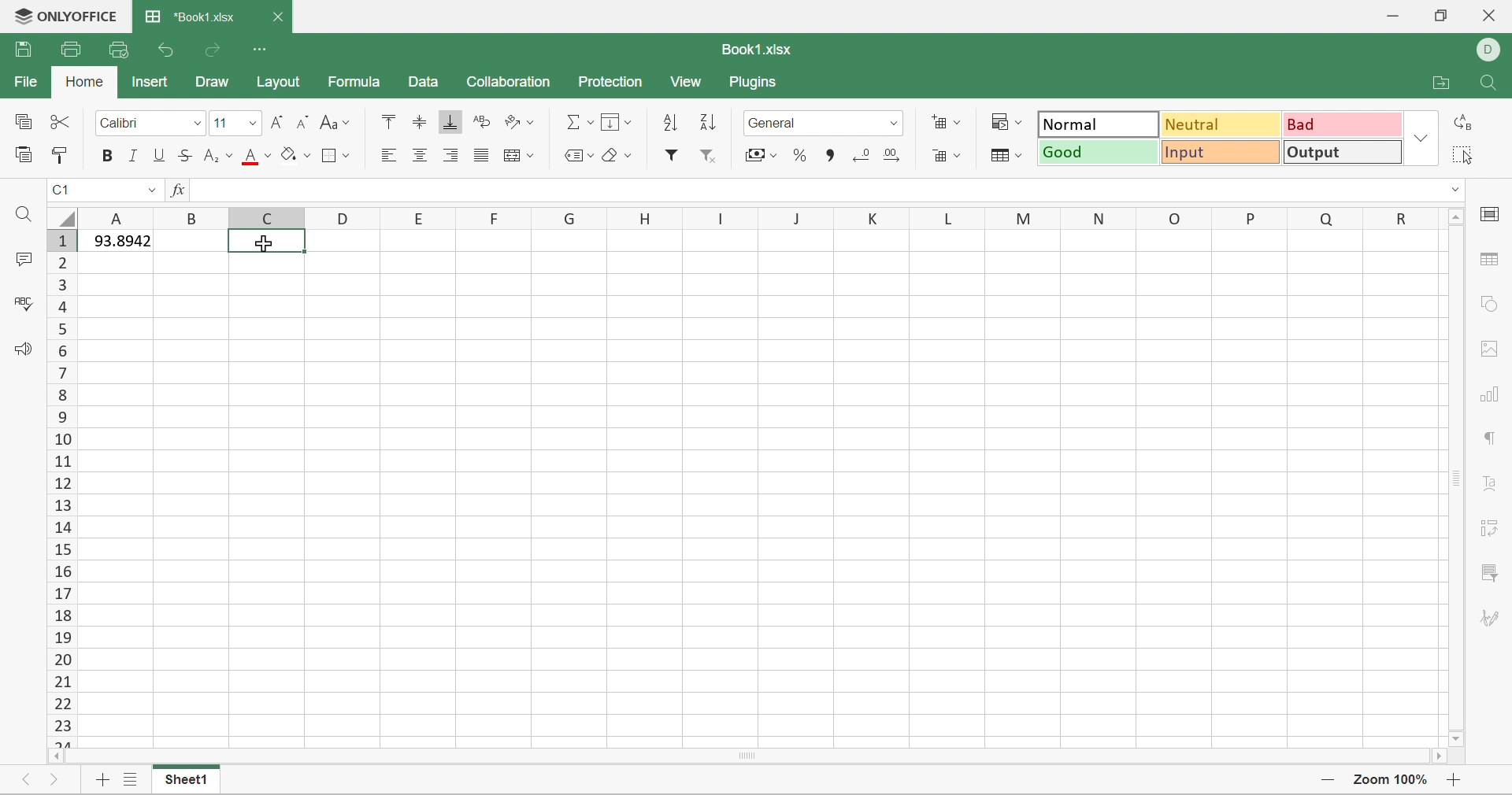 The width and height of the screenshot is (1512, 795). What do you see at coordinates (1453, 190) in the screenshot?
I see `Drop Down` at bounding box center [1453, 190].